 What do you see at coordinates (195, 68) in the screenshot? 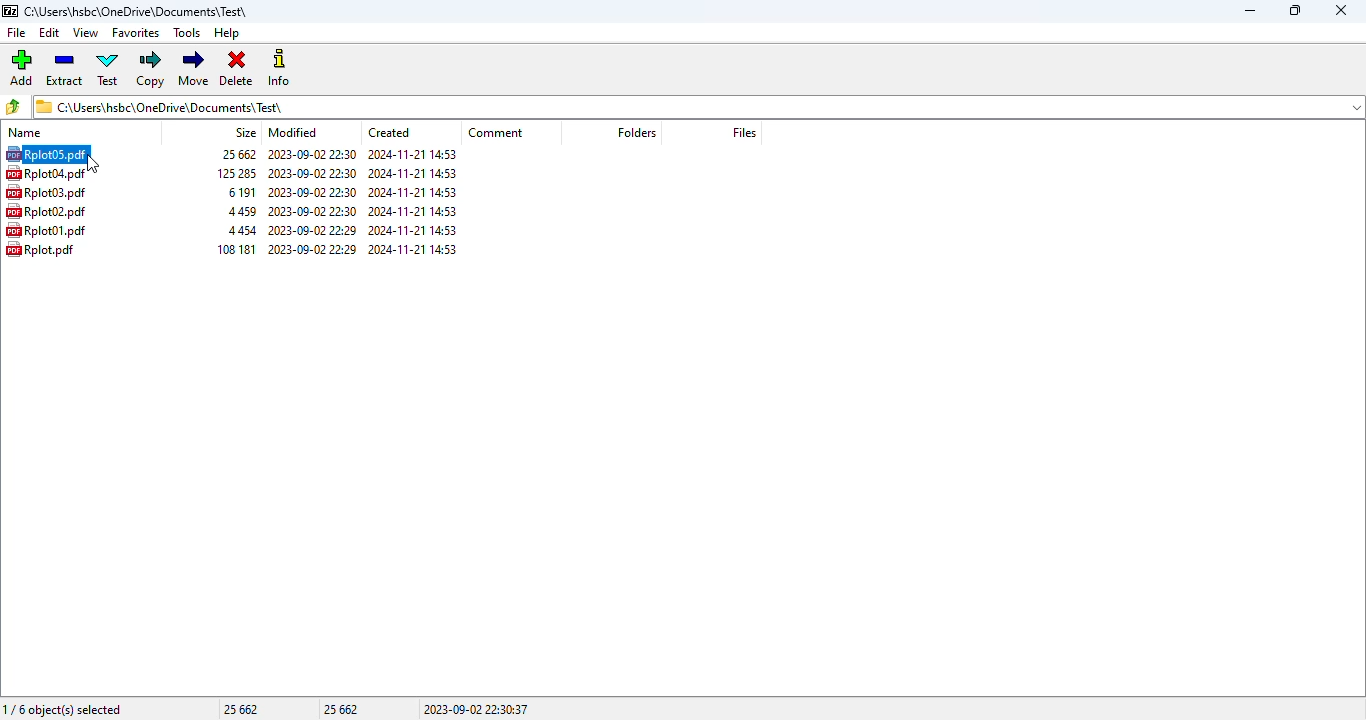
I see `move` at bounding box center [195, 68].